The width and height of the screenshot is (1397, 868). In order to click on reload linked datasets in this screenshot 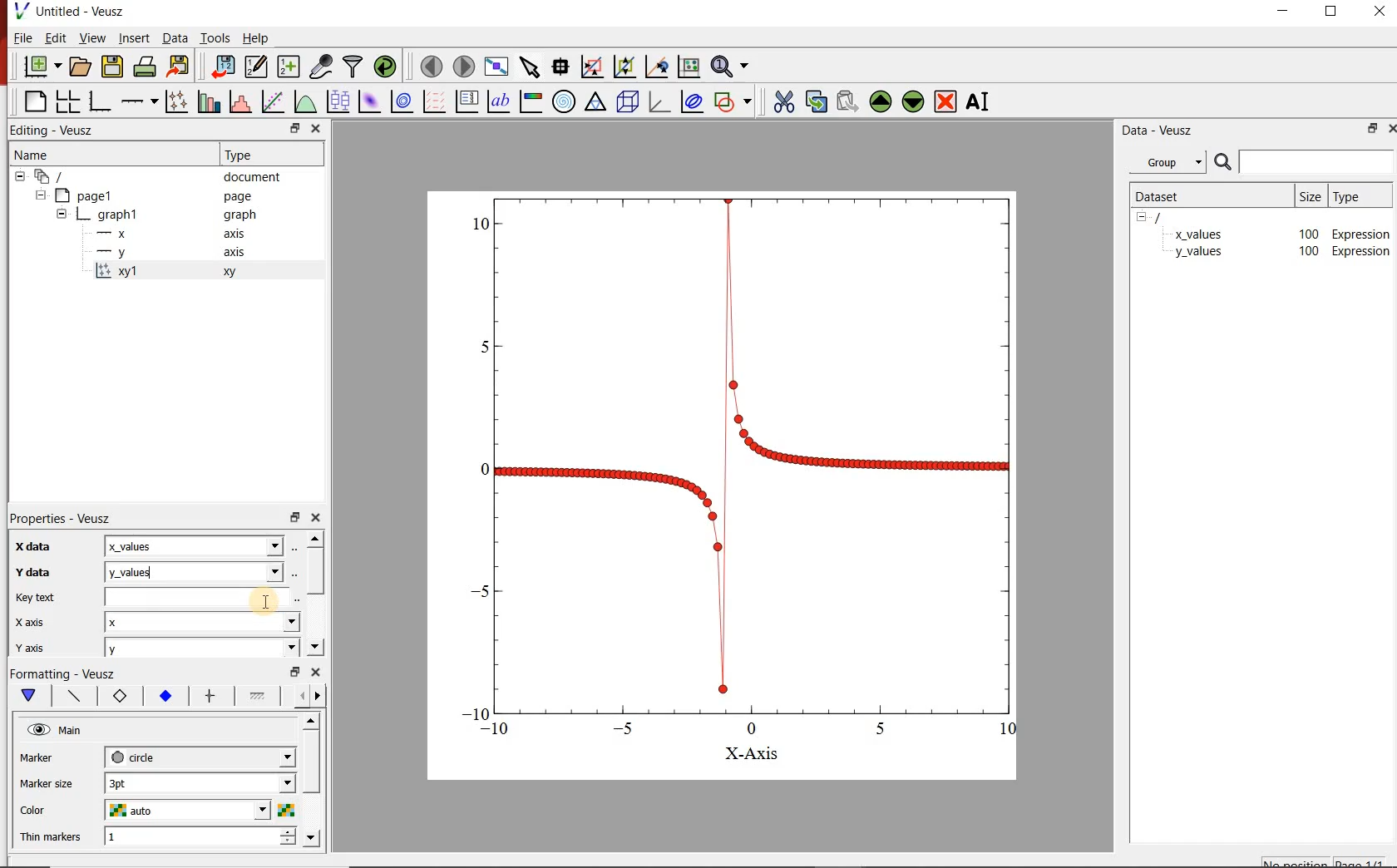, I will do `click(383, 67)`.